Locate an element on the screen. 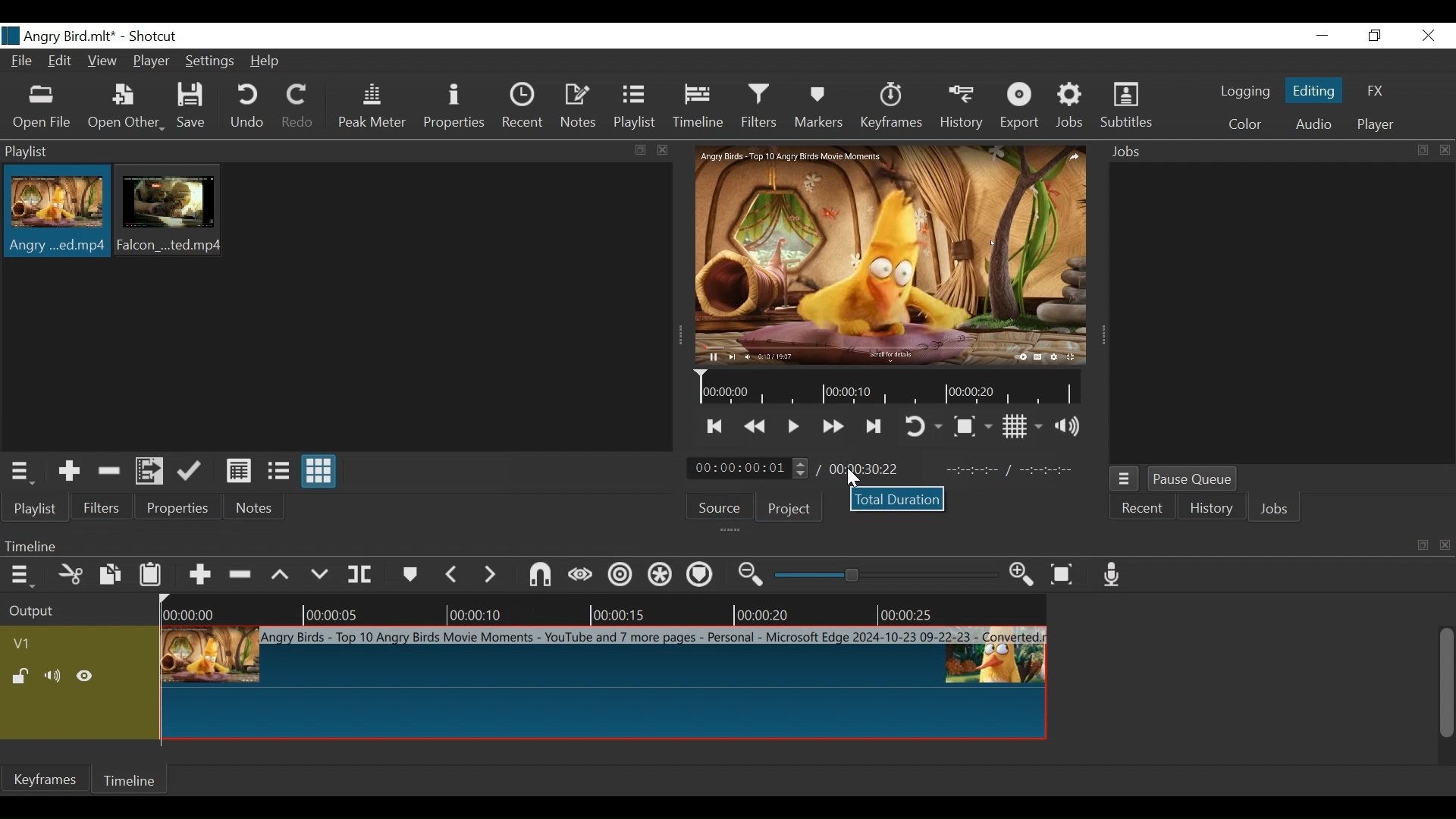  Pause Queue is located at coordinates (1193, 479).